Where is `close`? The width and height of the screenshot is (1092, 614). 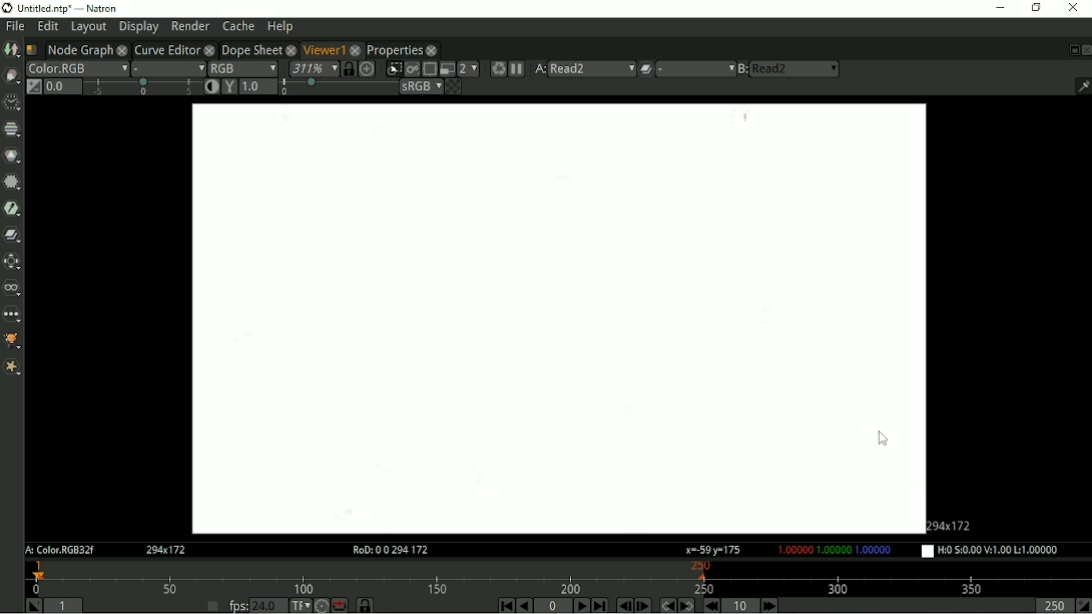
close is located at coordinates (290, 49).